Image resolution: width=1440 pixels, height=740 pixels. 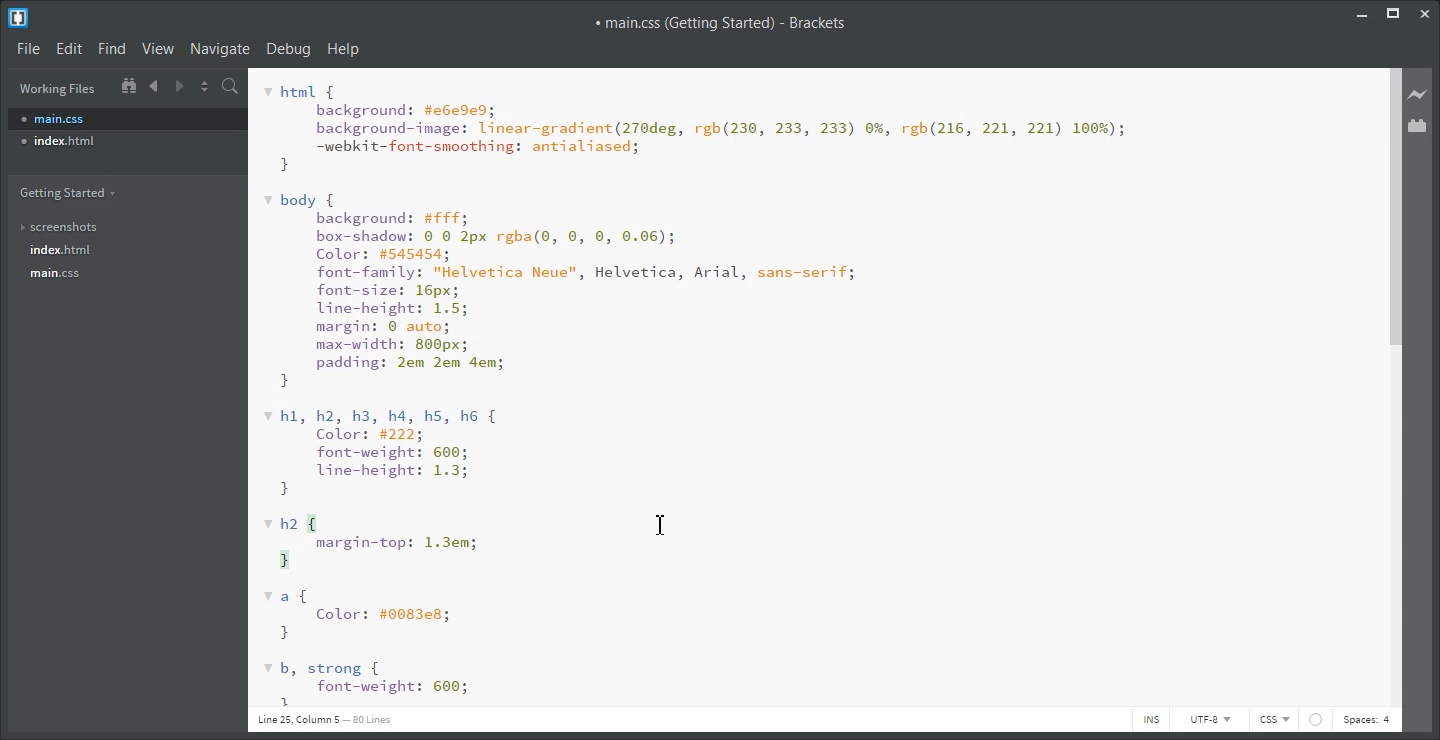 What do you see at coordinates (1361, 13) in the screenshot?
I see `Minimize` at bounding box center [1361, 13].